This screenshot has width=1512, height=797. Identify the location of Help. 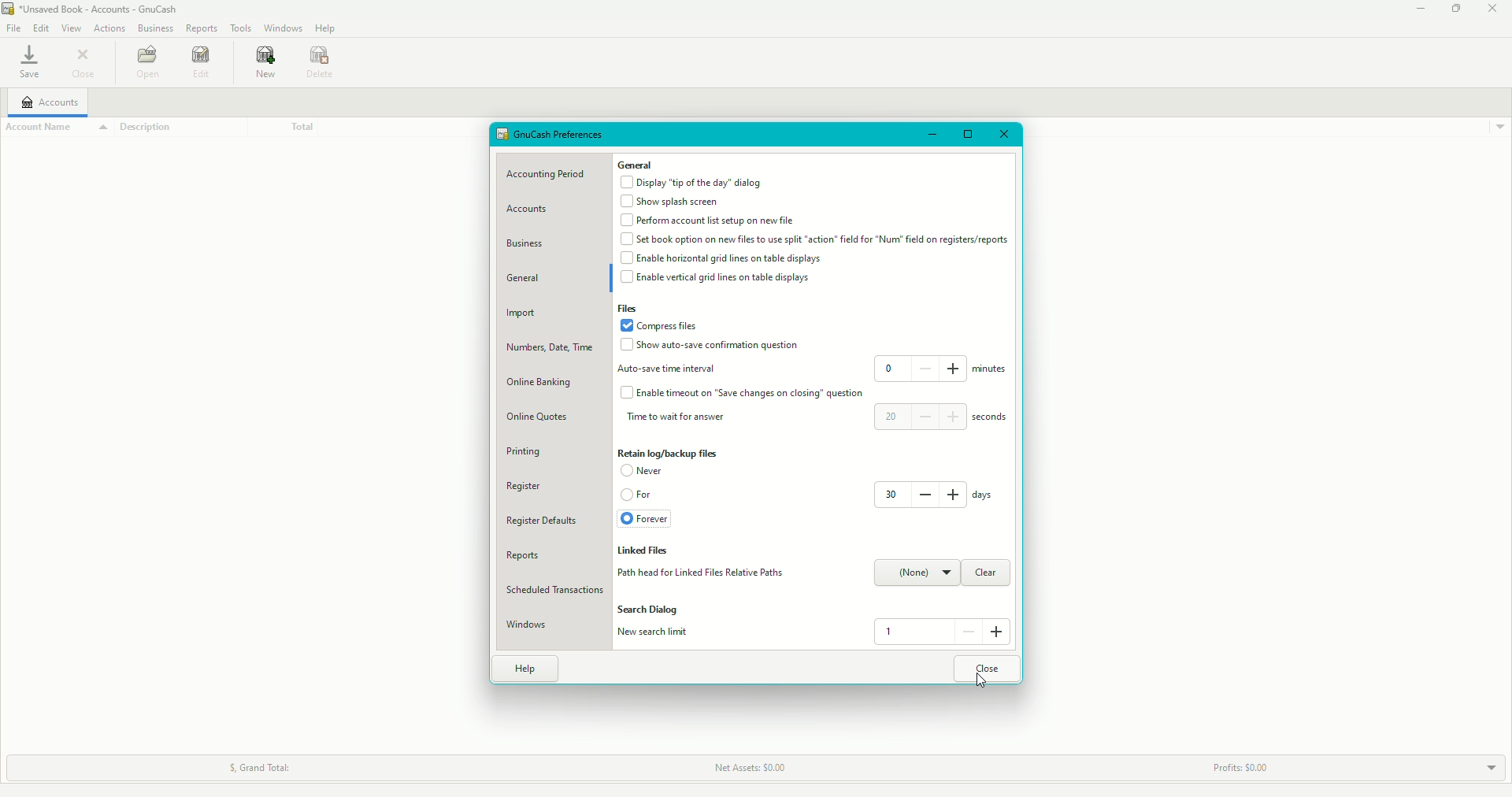
(328, 28).